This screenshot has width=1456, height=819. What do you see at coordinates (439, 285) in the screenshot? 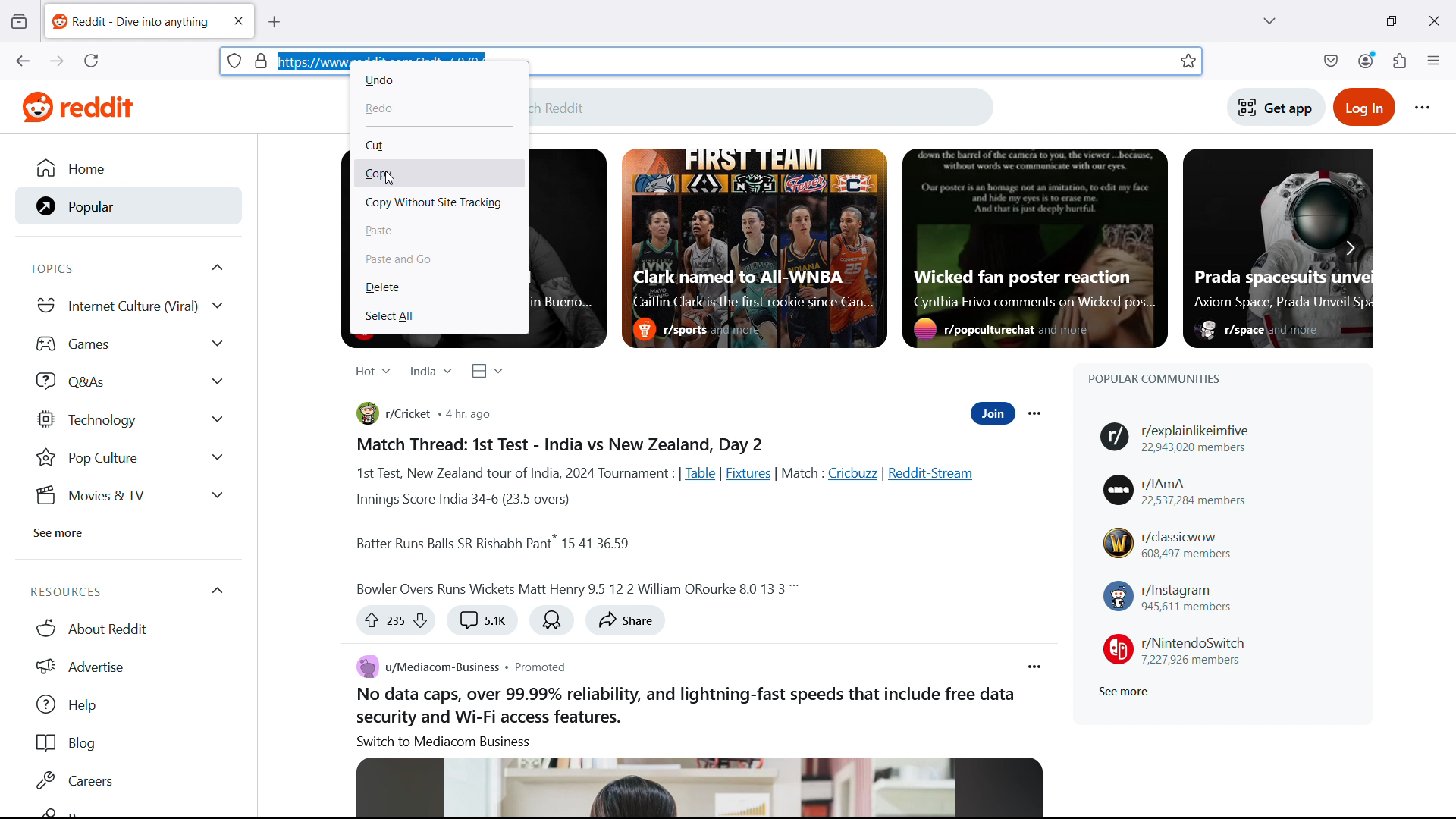
I see `delete` at bounding box center [439, 285].